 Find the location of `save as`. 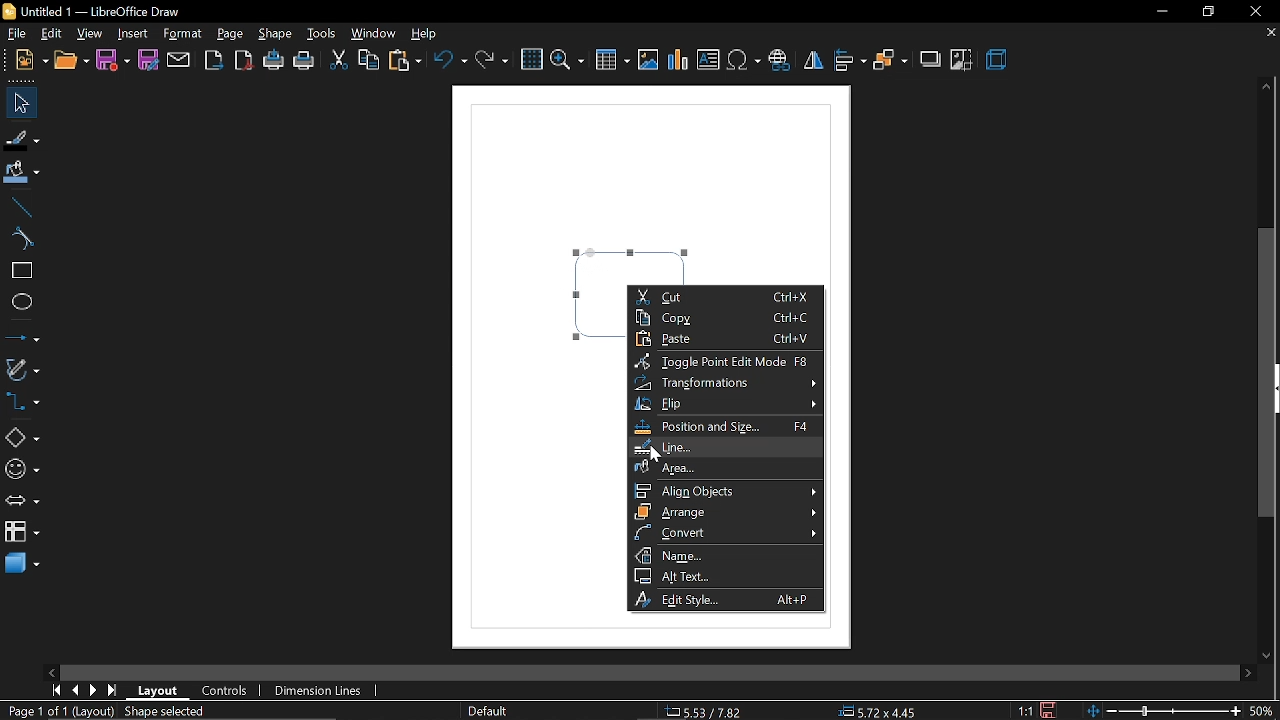

save as is located at coordinates (147, 61).